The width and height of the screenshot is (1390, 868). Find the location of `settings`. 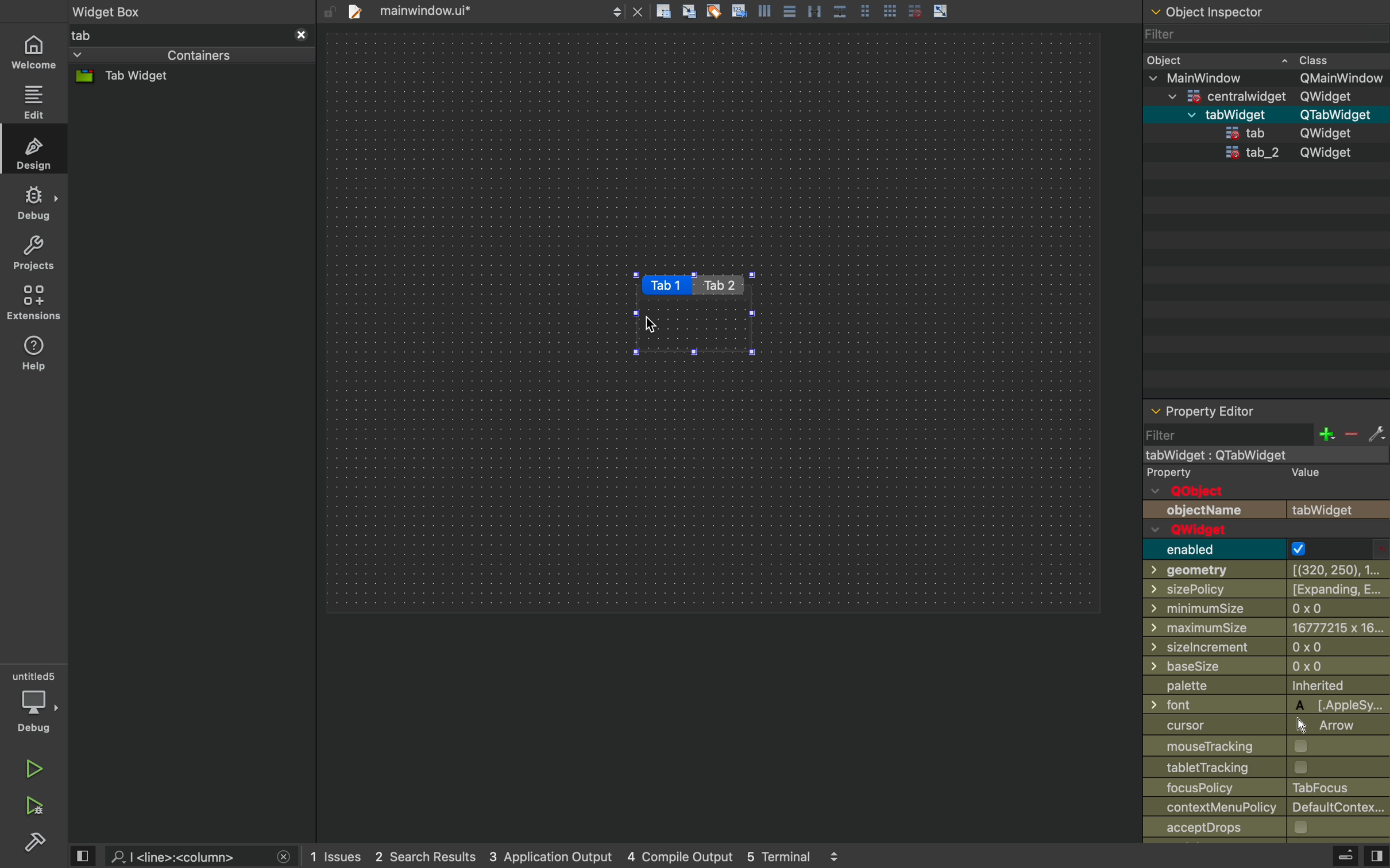

settings is located at coordinates (1376, 434).